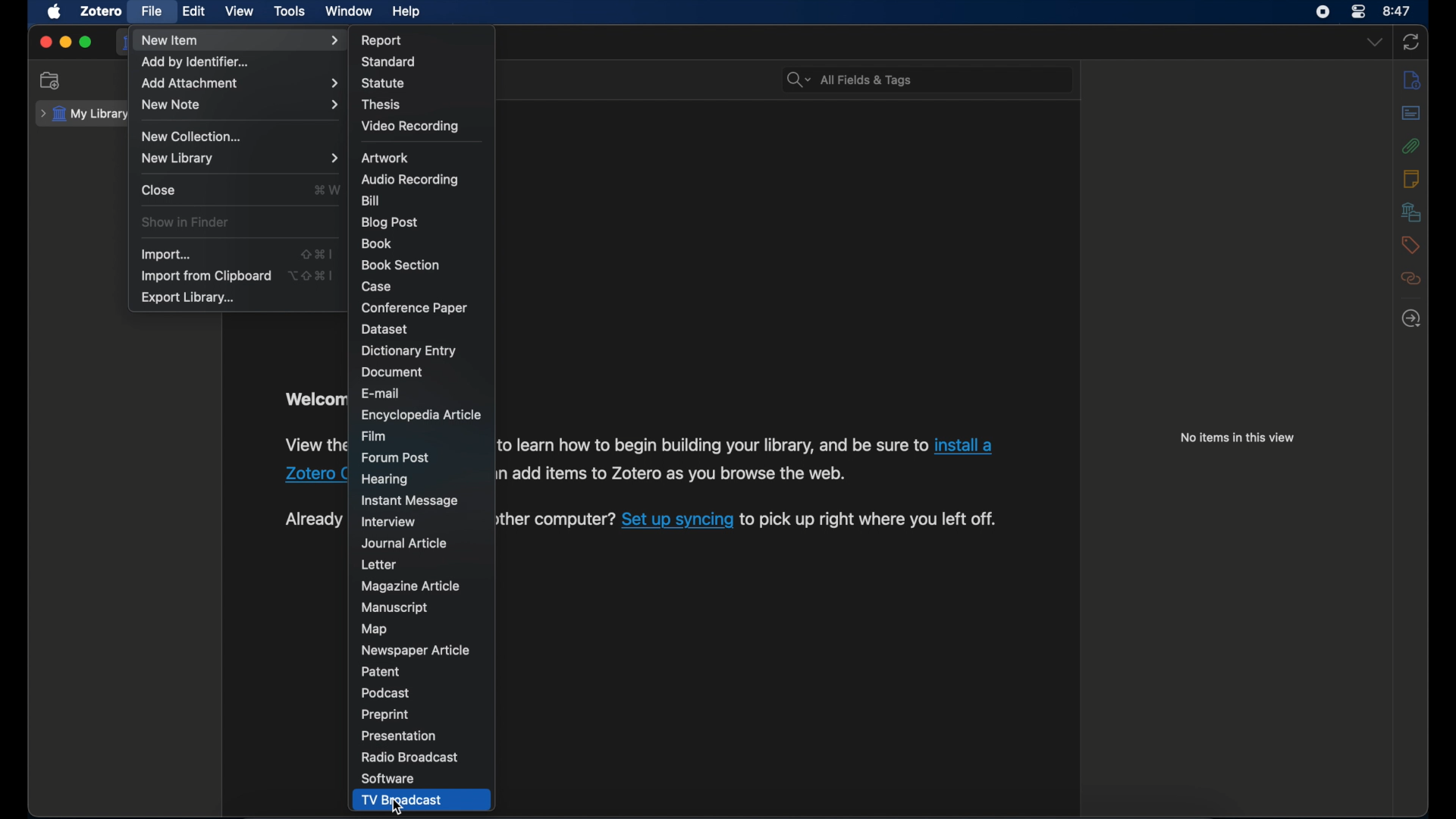 This screenshot has width=1456, height=819. I want to click on libraries, so click(1410, 212).